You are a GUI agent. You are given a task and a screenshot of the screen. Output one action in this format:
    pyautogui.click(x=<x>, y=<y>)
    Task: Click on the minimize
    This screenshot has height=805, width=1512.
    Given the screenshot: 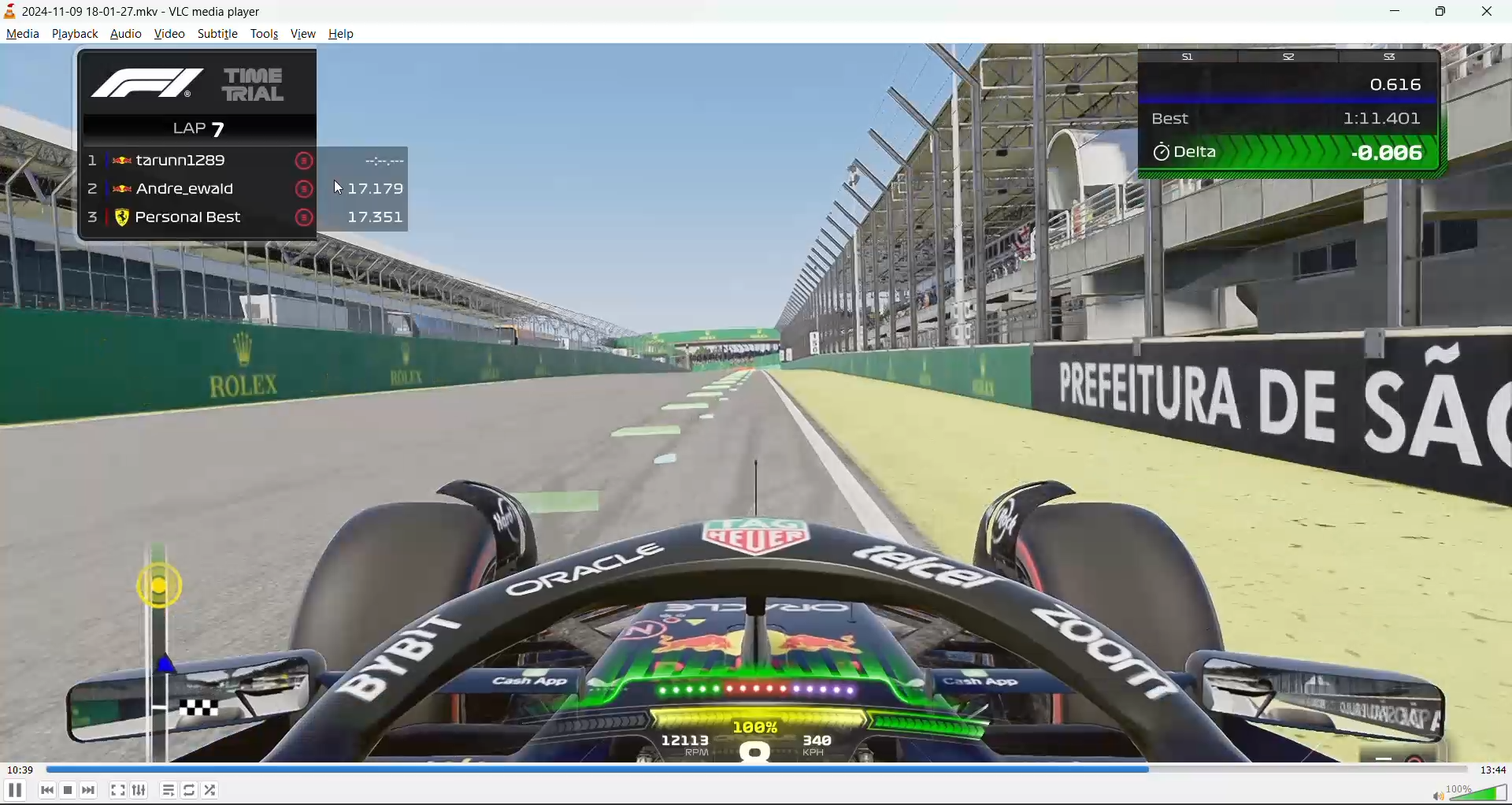 What is the action you would take?
    pyautogui.click(x=1392, y=13)
    